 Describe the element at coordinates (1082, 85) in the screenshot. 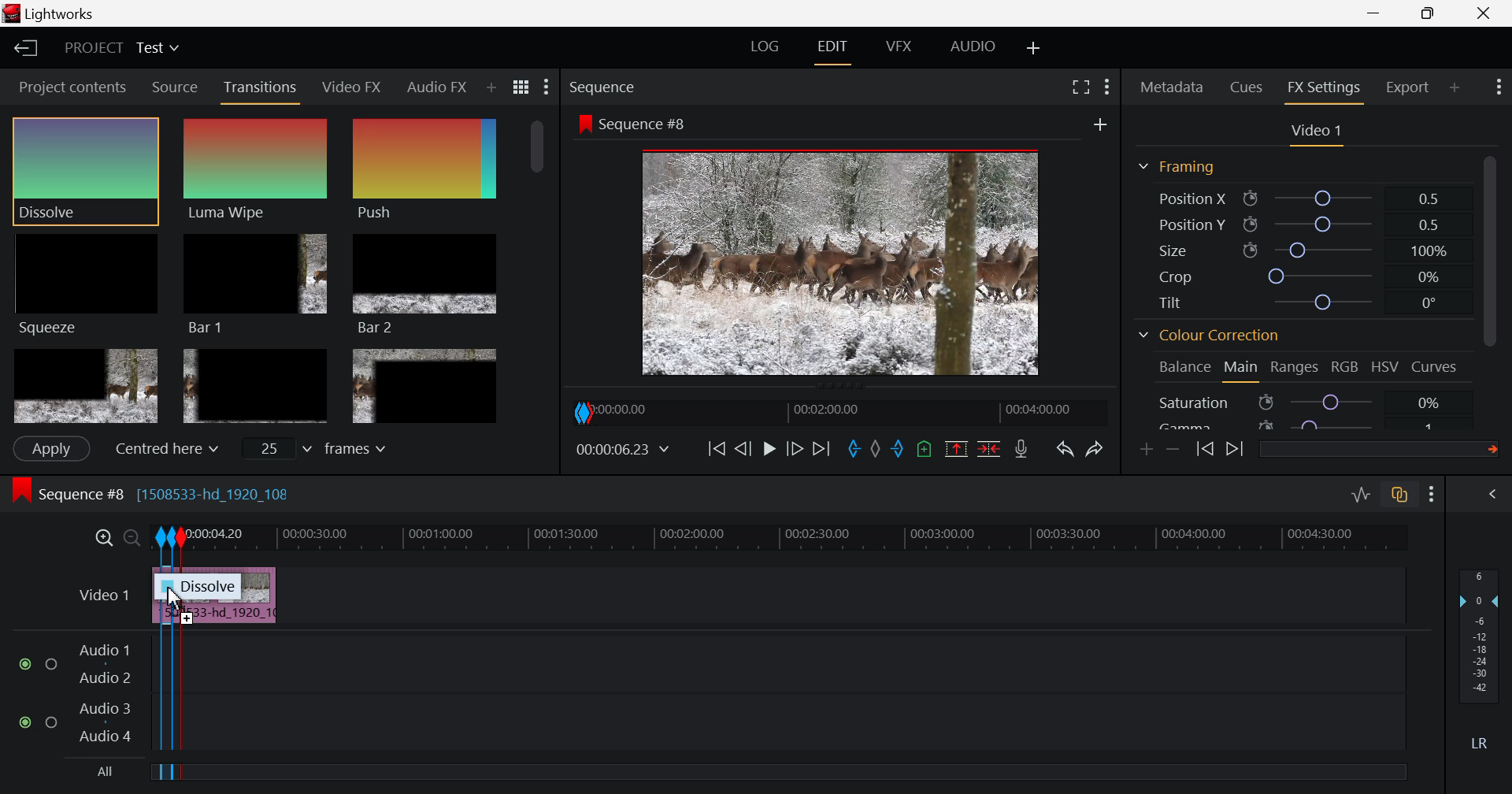

I see `Full Screen` at that location.